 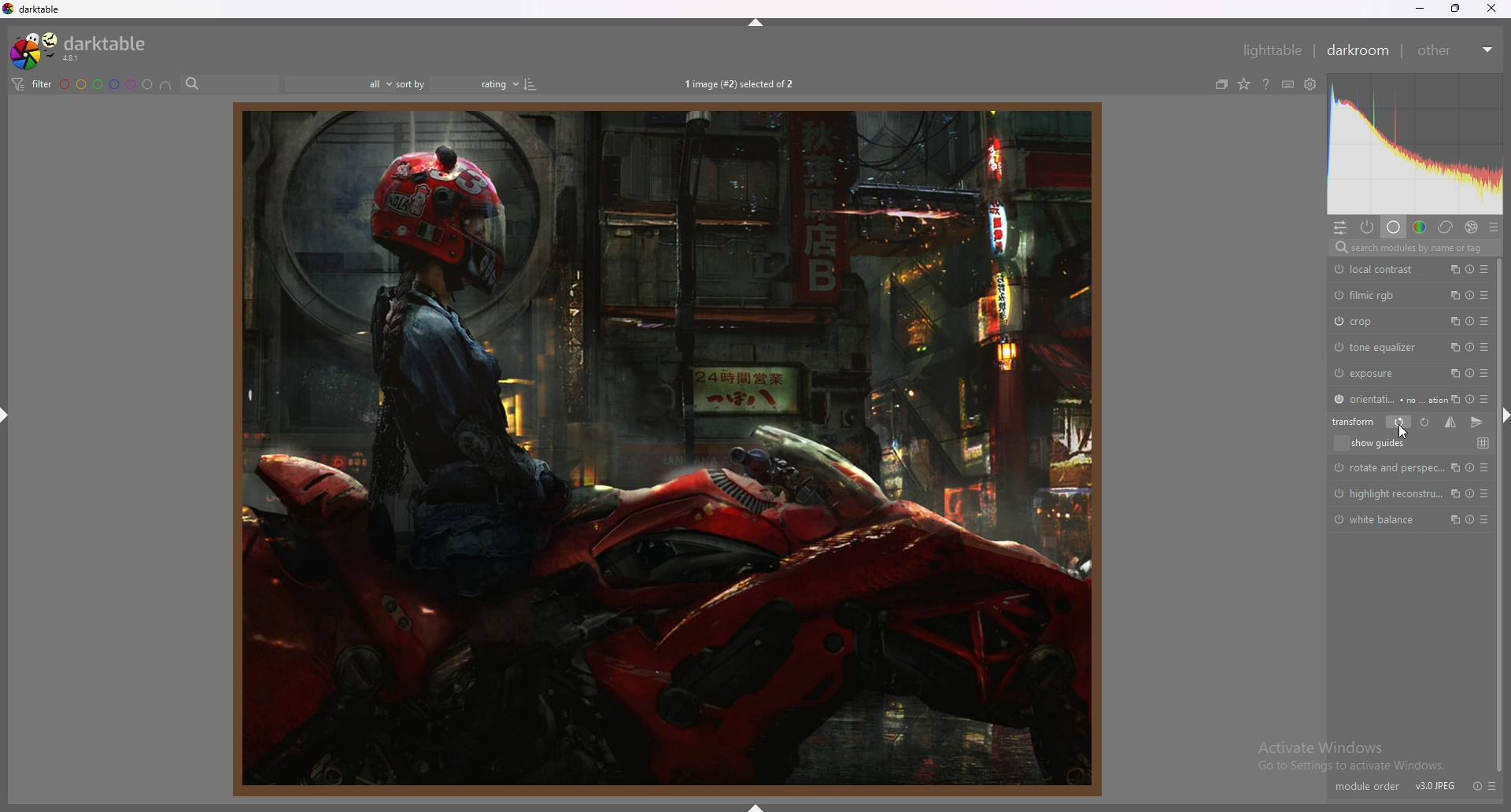 What do you see at coordinates (1310, 84) in the screenshot?
I see `show global preferences` at bounding box center [1310, 84].